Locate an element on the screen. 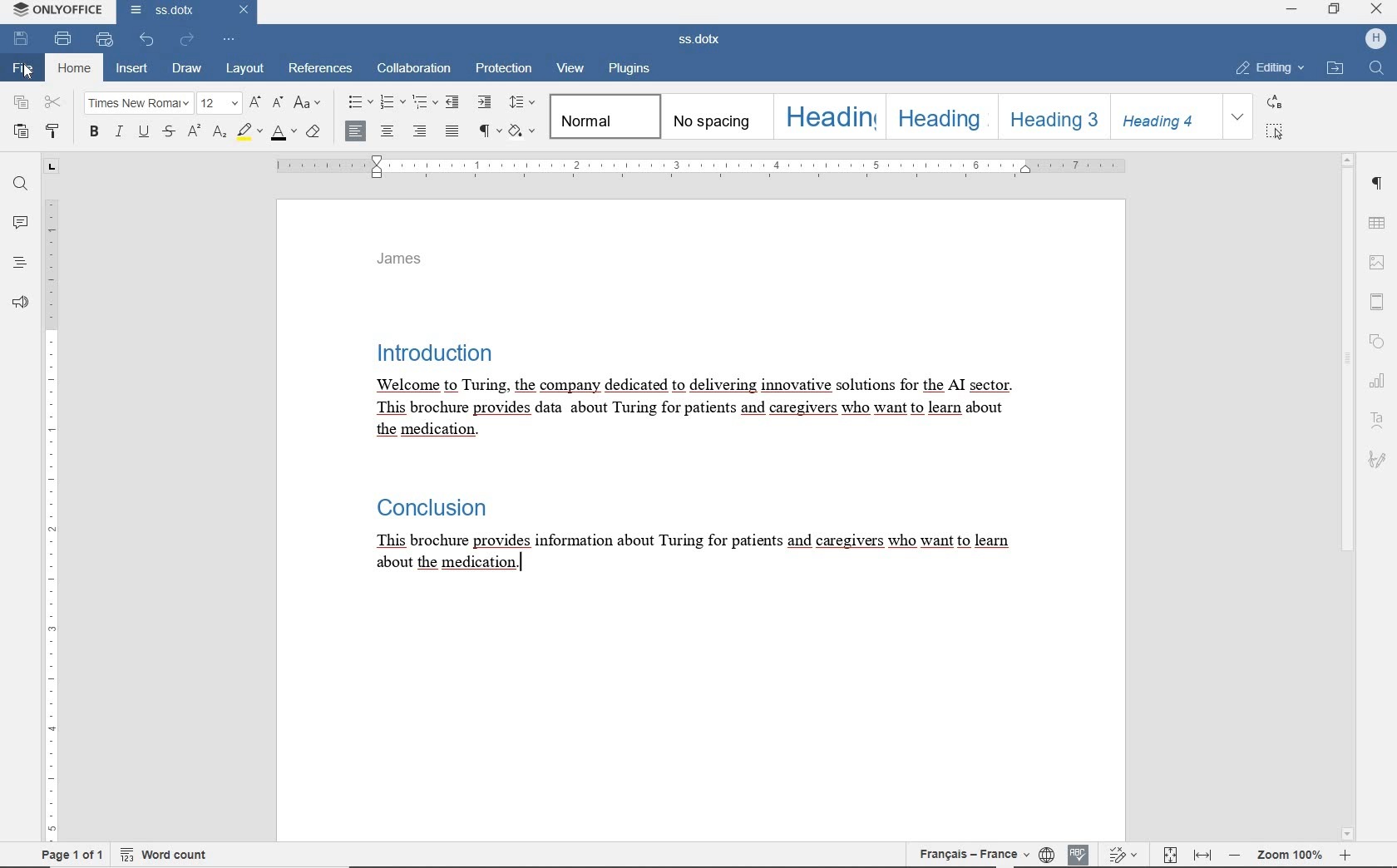 This screenshot has width=1397, height=868. REFERENCES is located at coordinates (318, 68).